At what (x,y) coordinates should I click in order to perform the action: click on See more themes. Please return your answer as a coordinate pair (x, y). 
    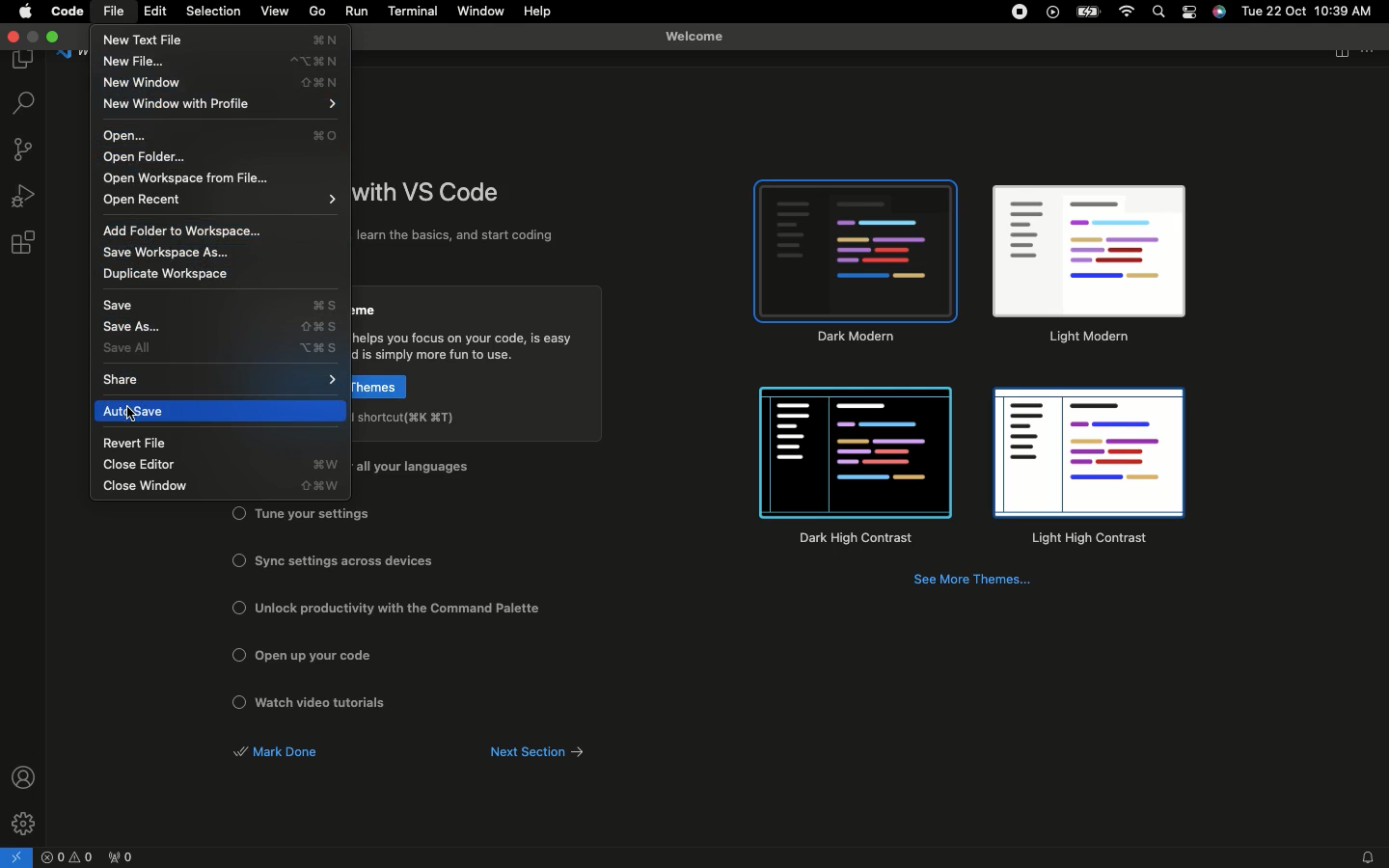
    Looking at the image, I should click on (975, 583).